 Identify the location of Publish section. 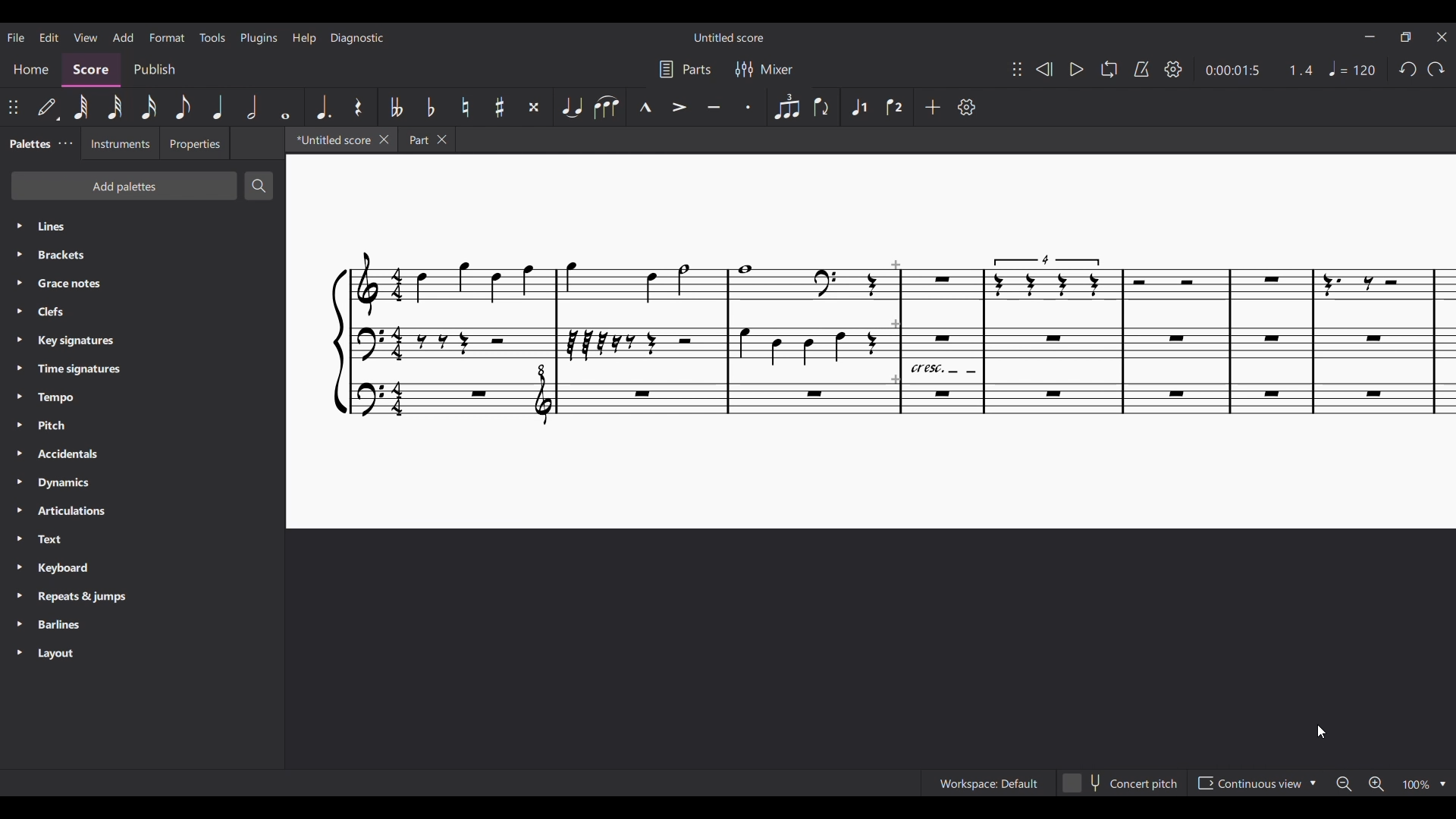
(155, 70).